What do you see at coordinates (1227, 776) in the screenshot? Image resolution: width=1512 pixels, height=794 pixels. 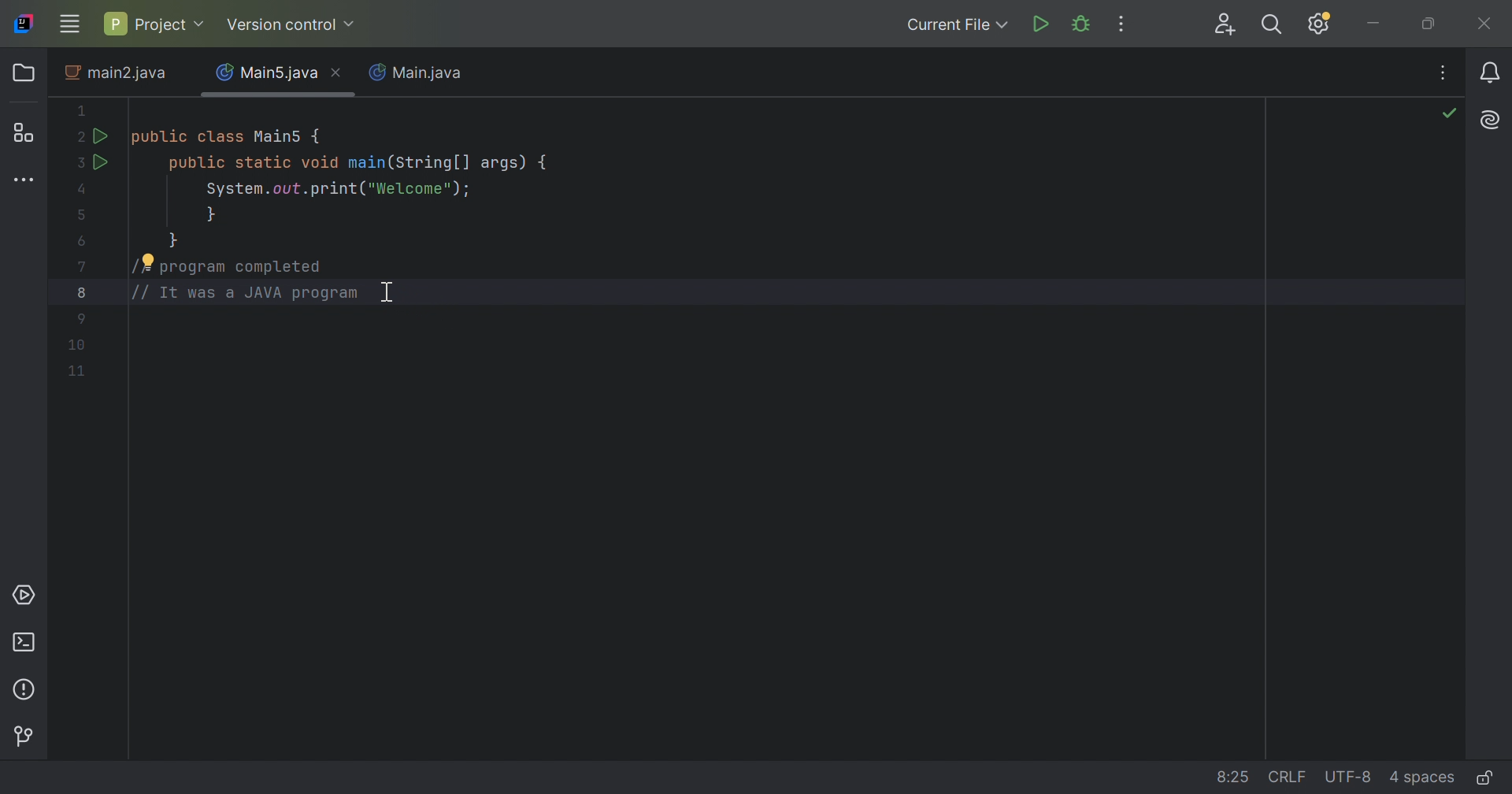 I see `8:25 (line details)` at bounding box center [1227, 776].